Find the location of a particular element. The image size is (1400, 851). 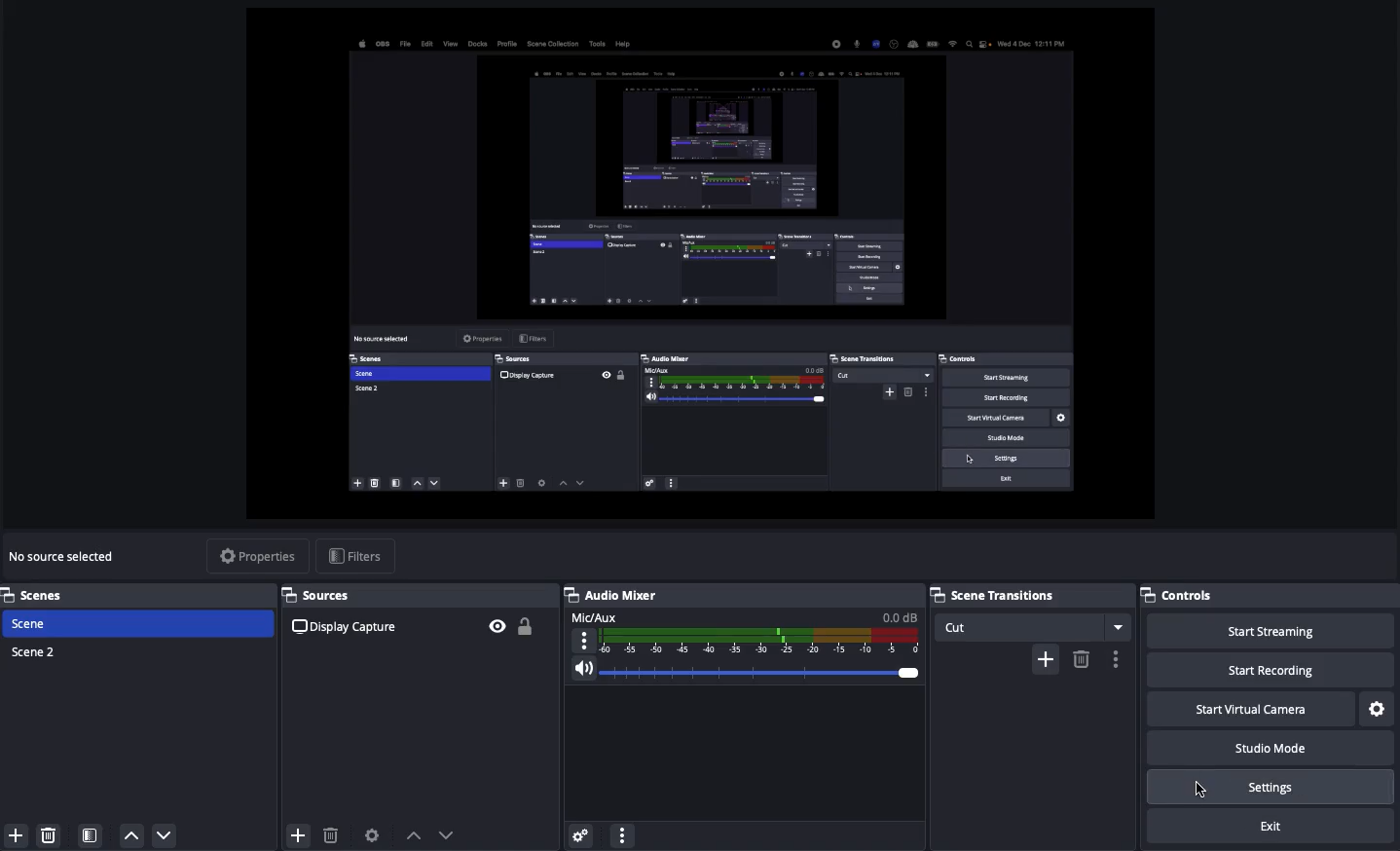

Volume is located at coordinates (755, 669).